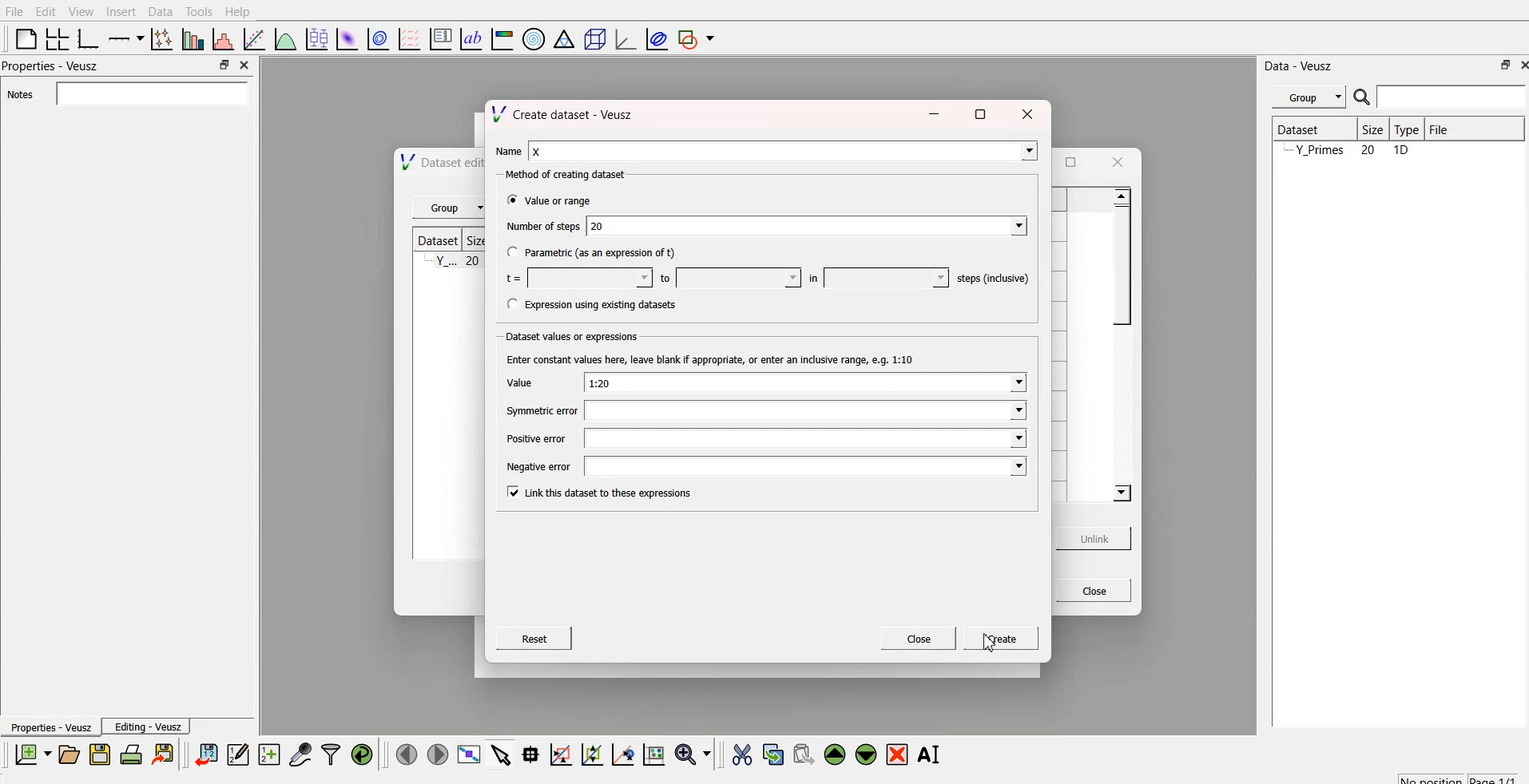 This screenshot has width=1529, height=784. I want to click on Data, so click(160, 10).